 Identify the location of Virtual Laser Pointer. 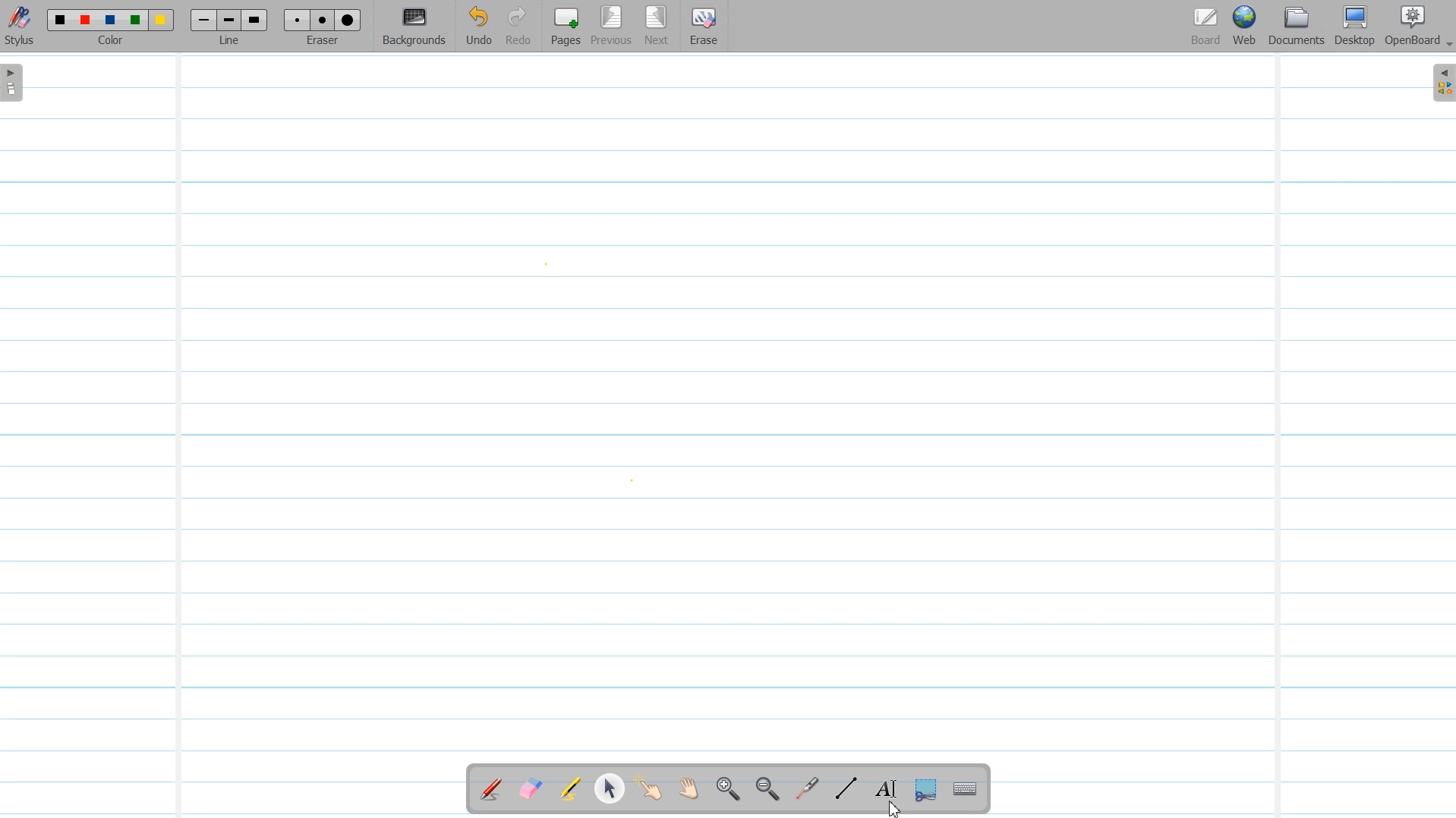
(803, 790).